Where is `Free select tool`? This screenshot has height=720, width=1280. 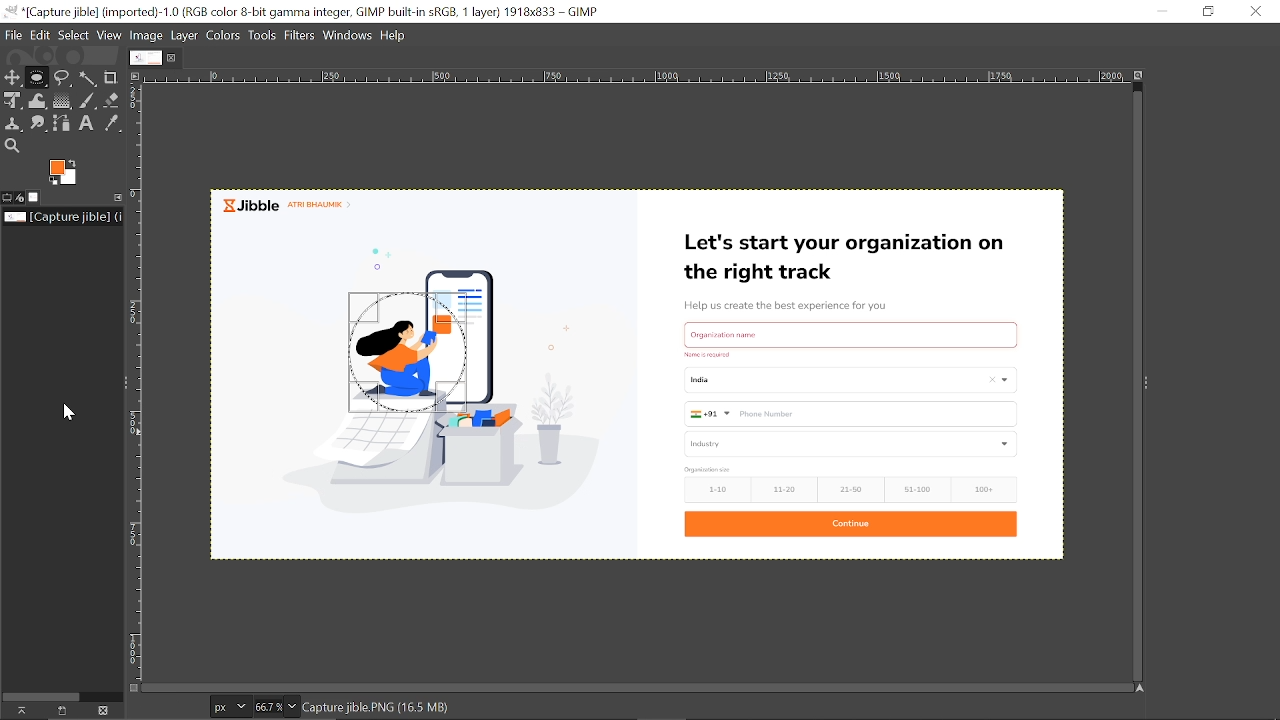 Free select tool is located at coordinates (64, 78).